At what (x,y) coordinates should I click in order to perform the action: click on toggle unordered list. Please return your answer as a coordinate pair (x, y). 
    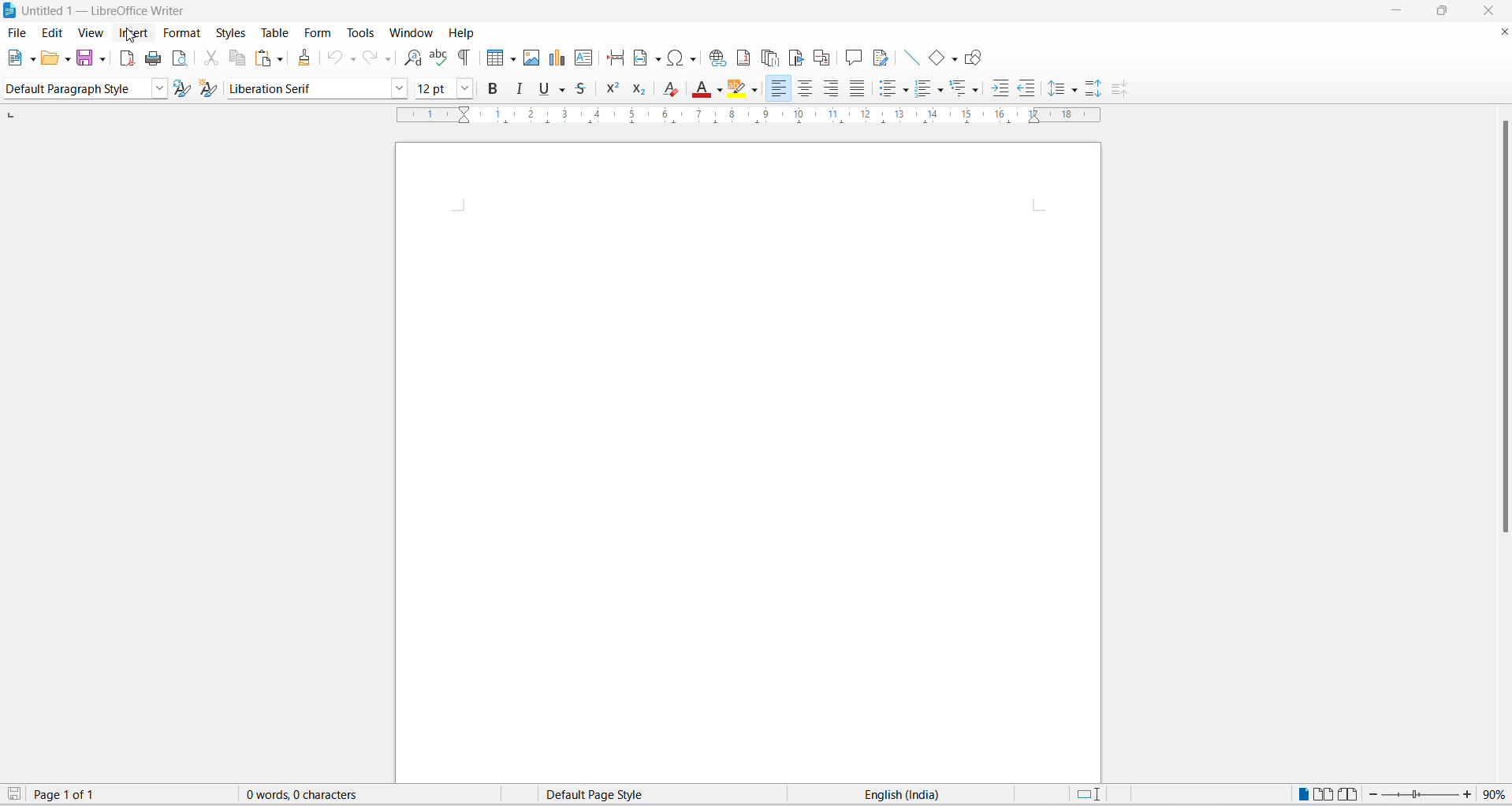
    Looking at the image, I should click on (884, 89).